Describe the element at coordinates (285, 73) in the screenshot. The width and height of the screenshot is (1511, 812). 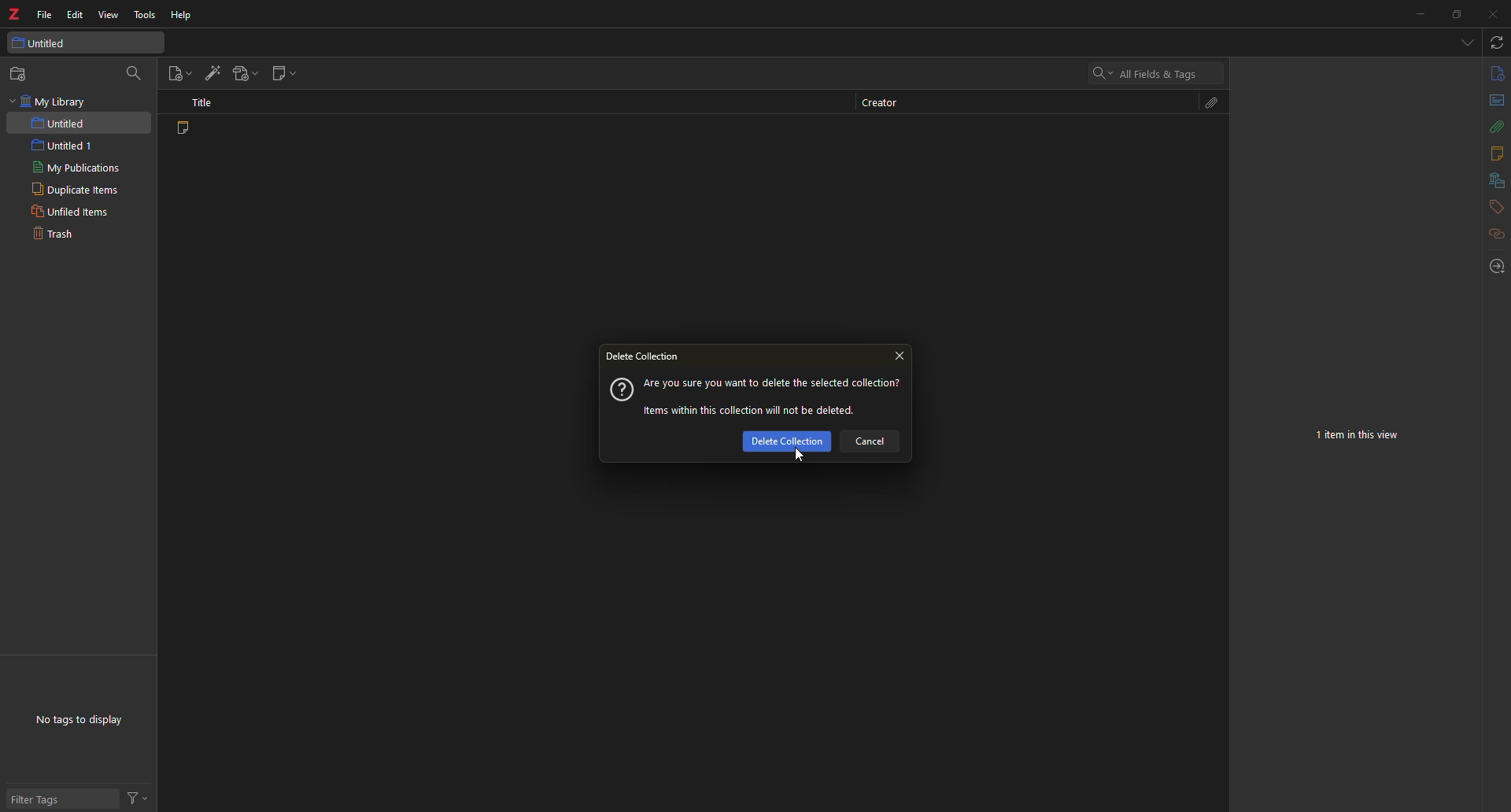
I see `new note` at that location.